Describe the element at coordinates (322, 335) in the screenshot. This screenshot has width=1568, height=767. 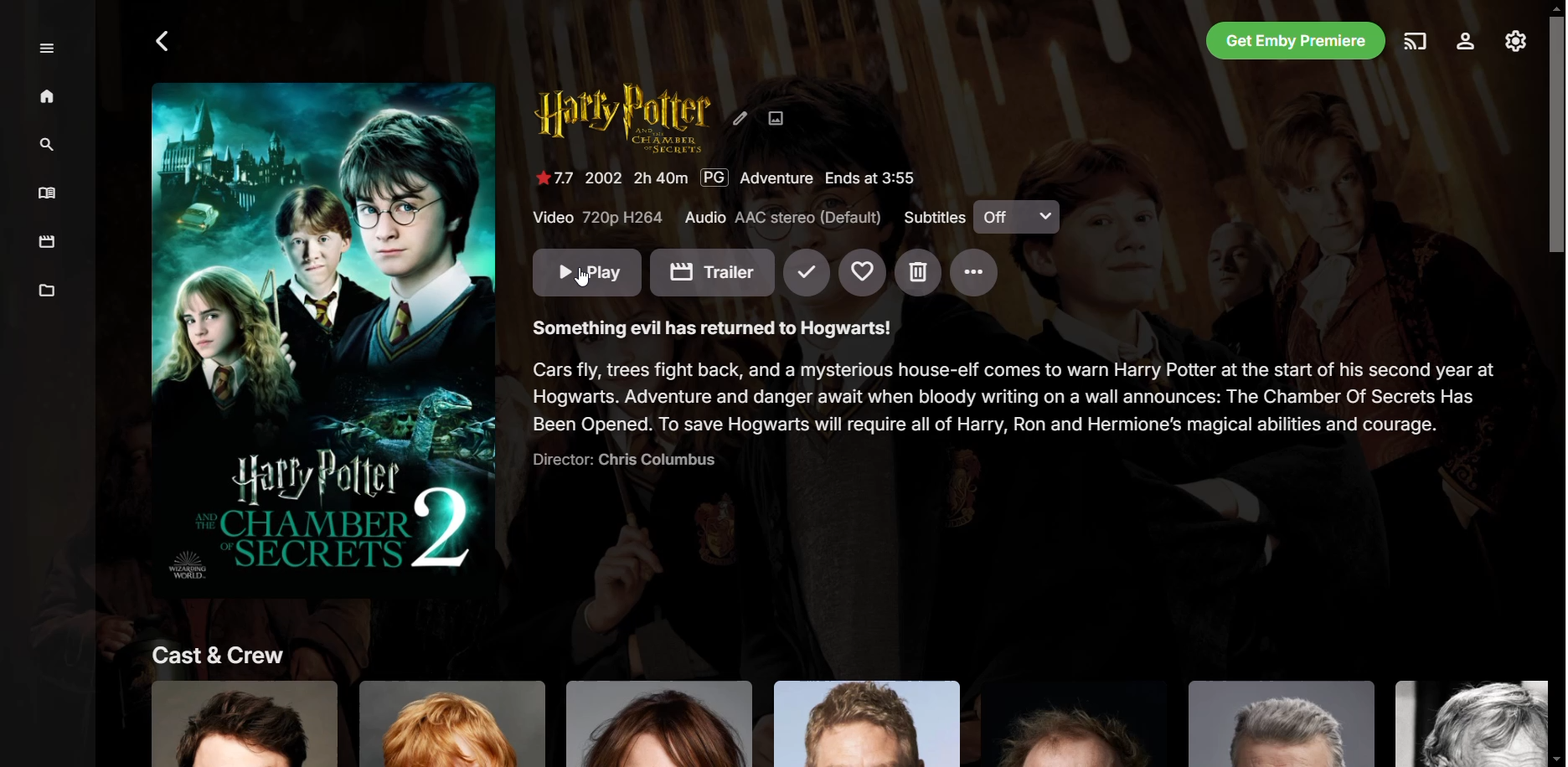
I see `Movie Image/Click to Play movie` at that location.